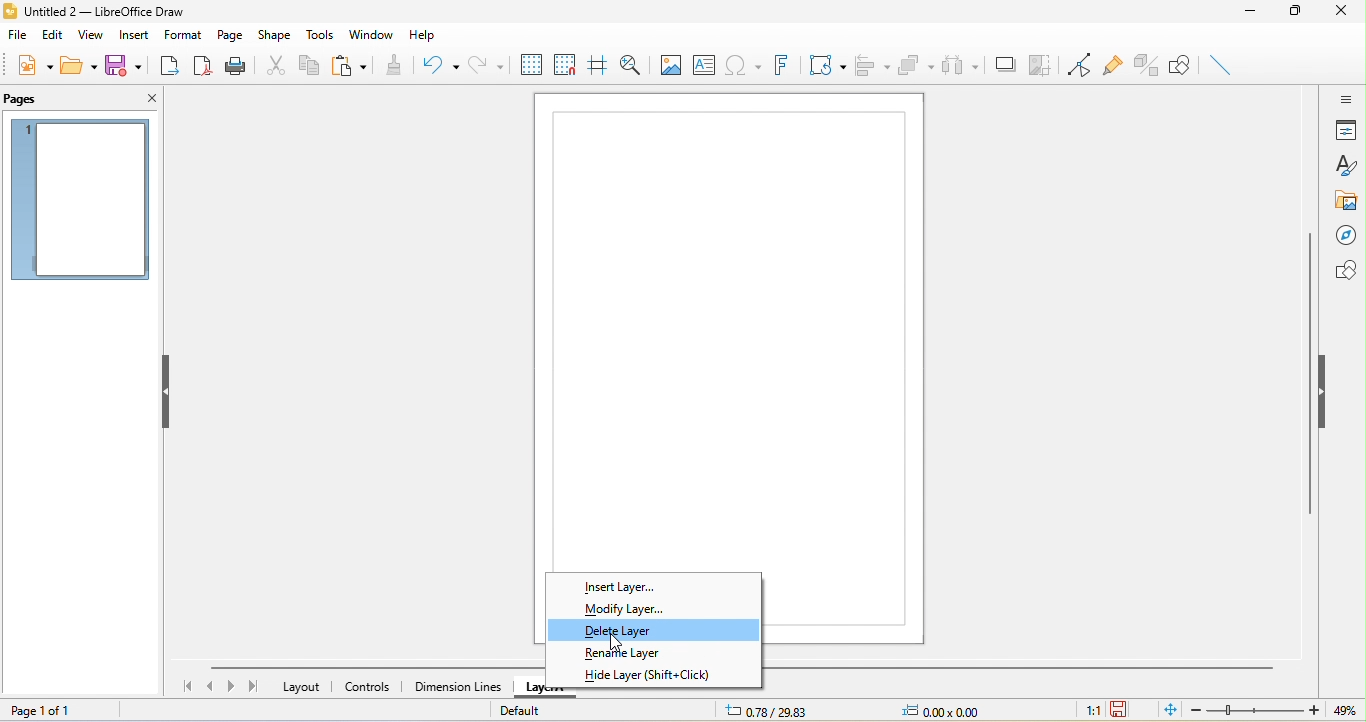 The width and height of the screenshot is (1366, 722). What do you see at coordinates (53, 33) in the screenshot?
I see `edit` at bounding box center [53, 33].